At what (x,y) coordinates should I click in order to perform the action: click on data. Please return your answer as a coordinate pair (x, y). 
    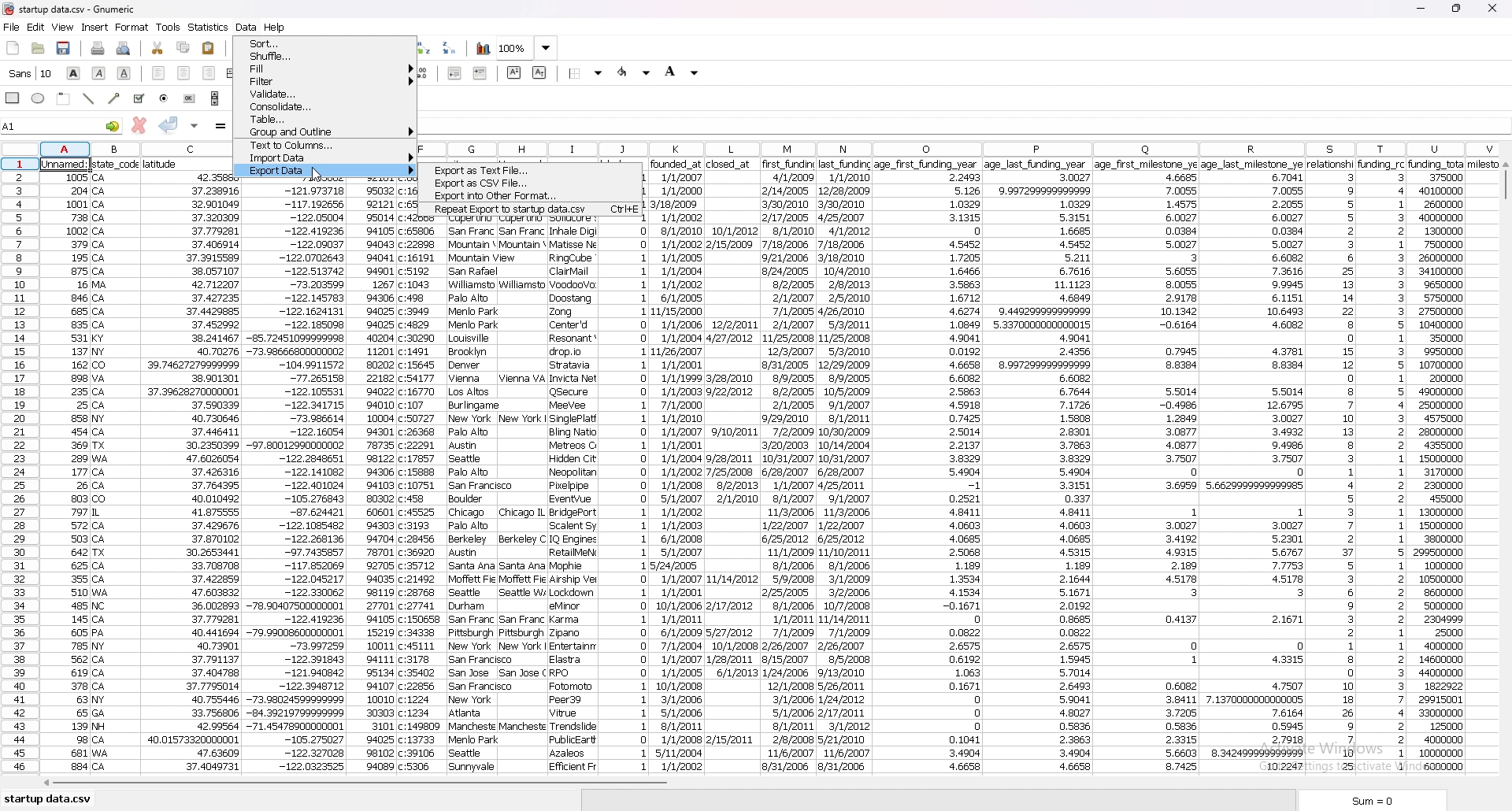
    Looking at the image, I should click on (187, 466).